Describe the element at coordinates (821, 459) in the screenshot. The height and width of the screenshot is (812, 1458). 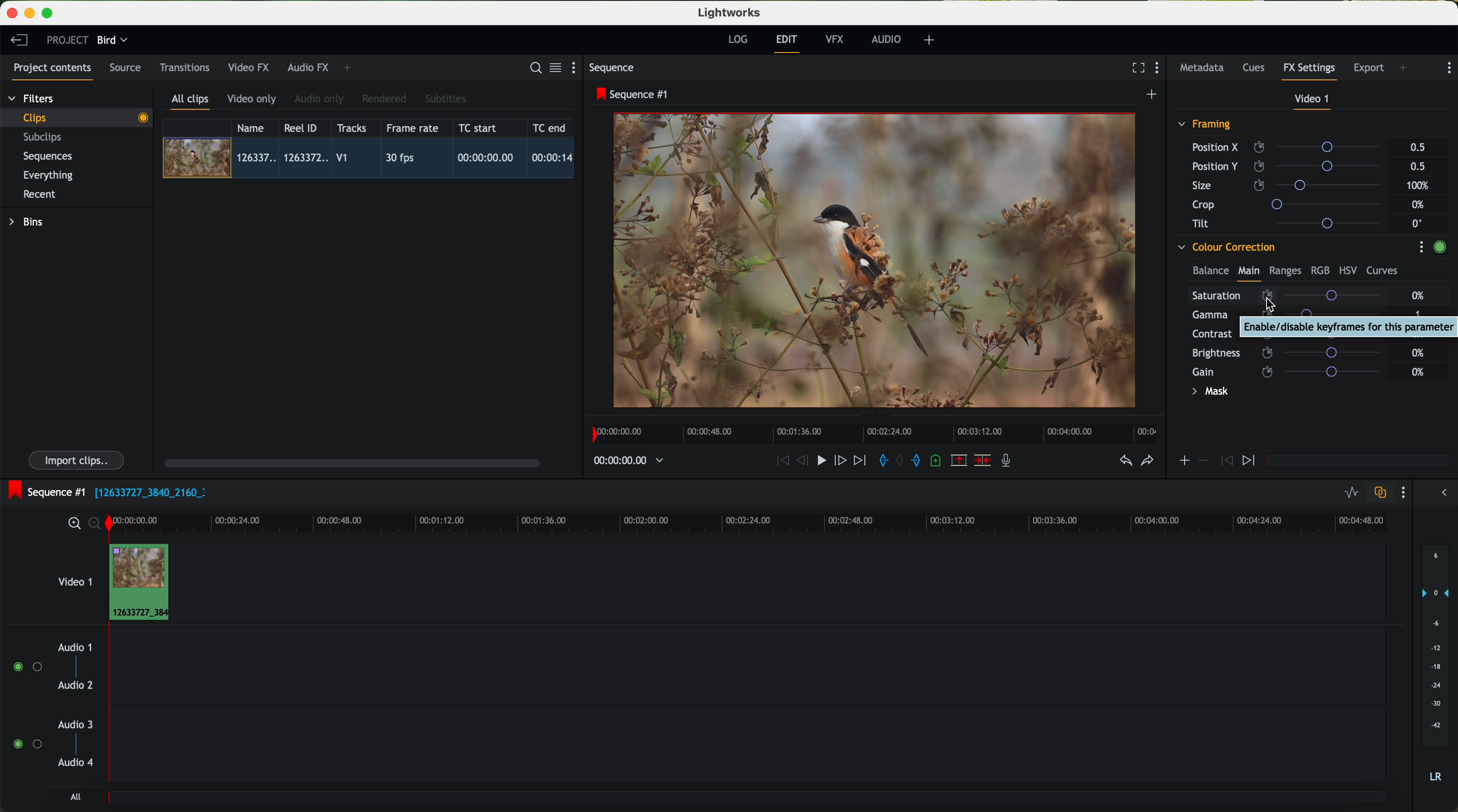
I see `play` at that location.